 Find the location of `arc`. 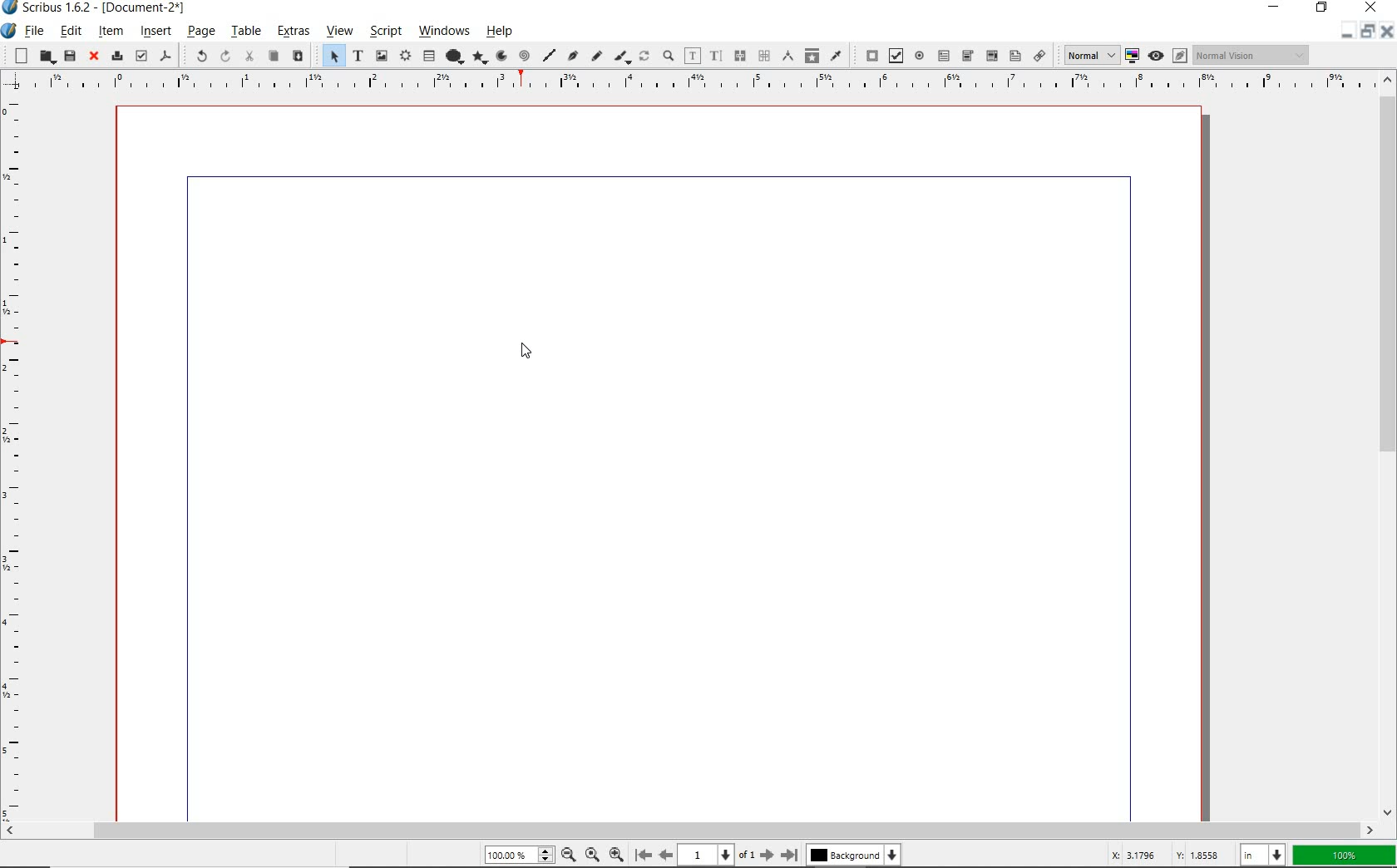

arc is located at coordinates (501, 57).